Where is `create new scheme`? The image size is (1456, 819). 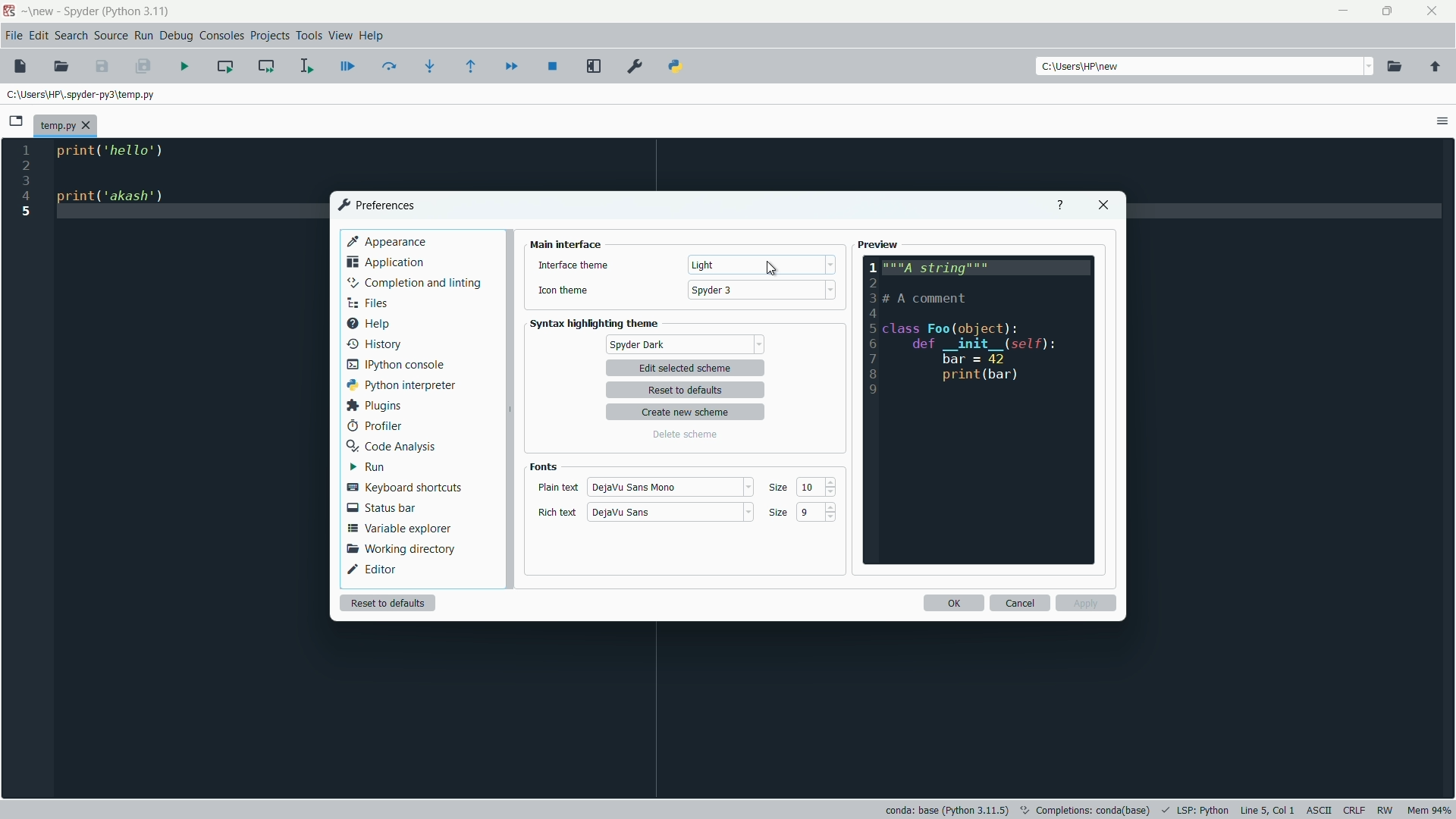 create new scheme is located at coordinates (688, 413).